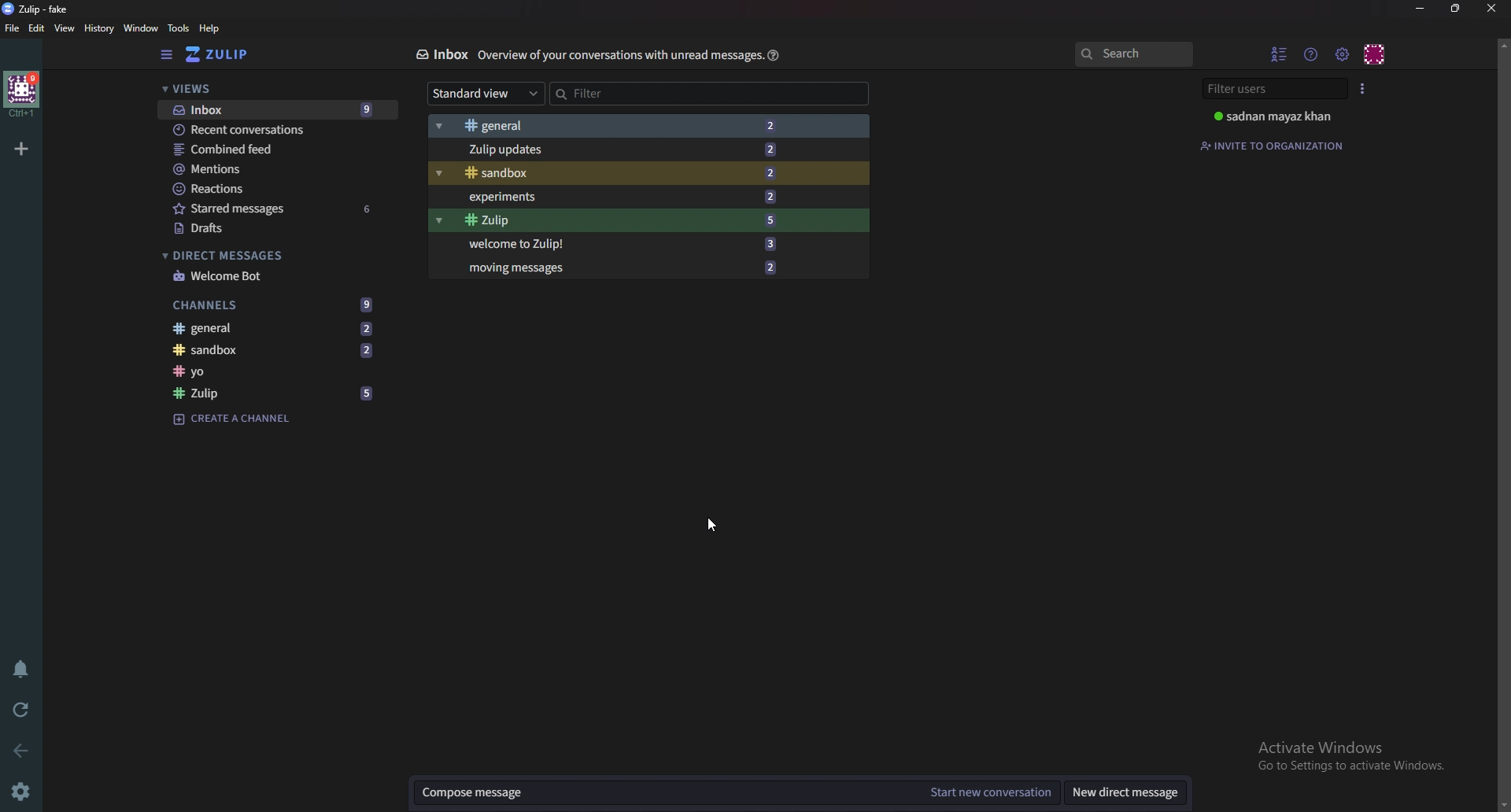 The width and height of the screenshot is (1511, 812). I want to click on view, so click(65, 29).